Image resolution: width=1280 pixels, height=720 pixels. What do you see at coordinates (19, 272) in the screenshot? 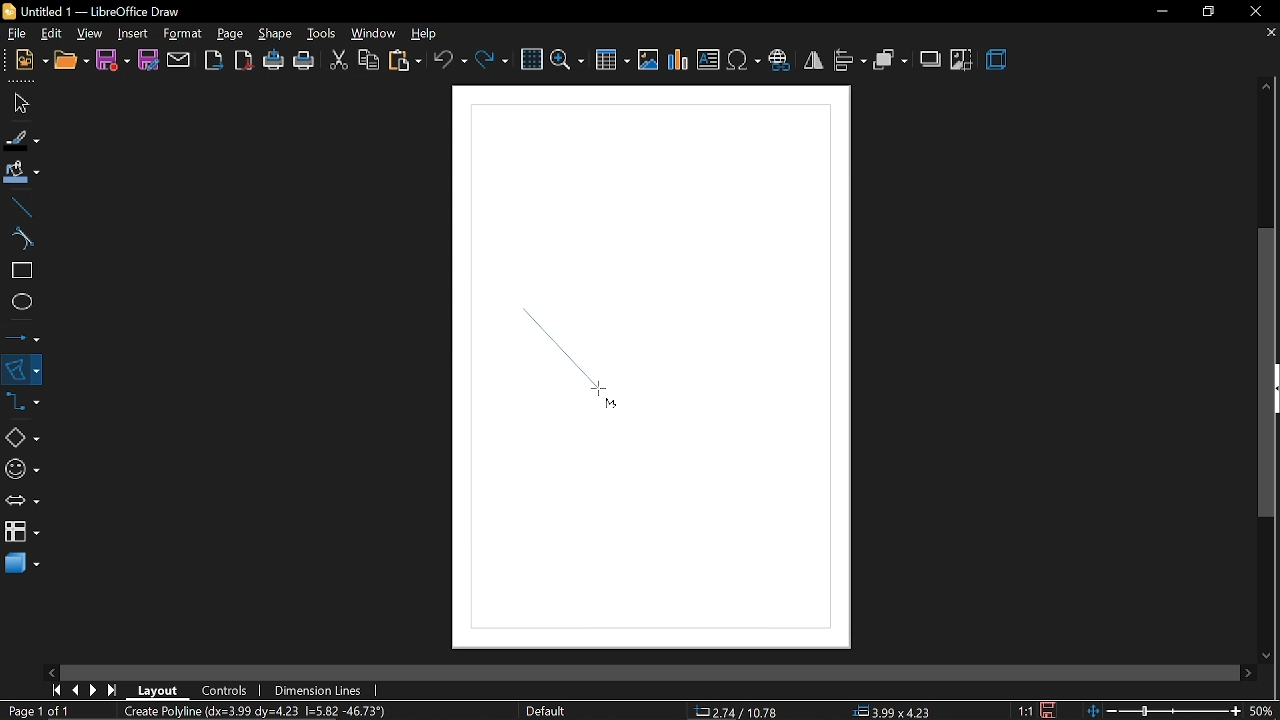
I see `rectangle` at bounding box center [19, 272].